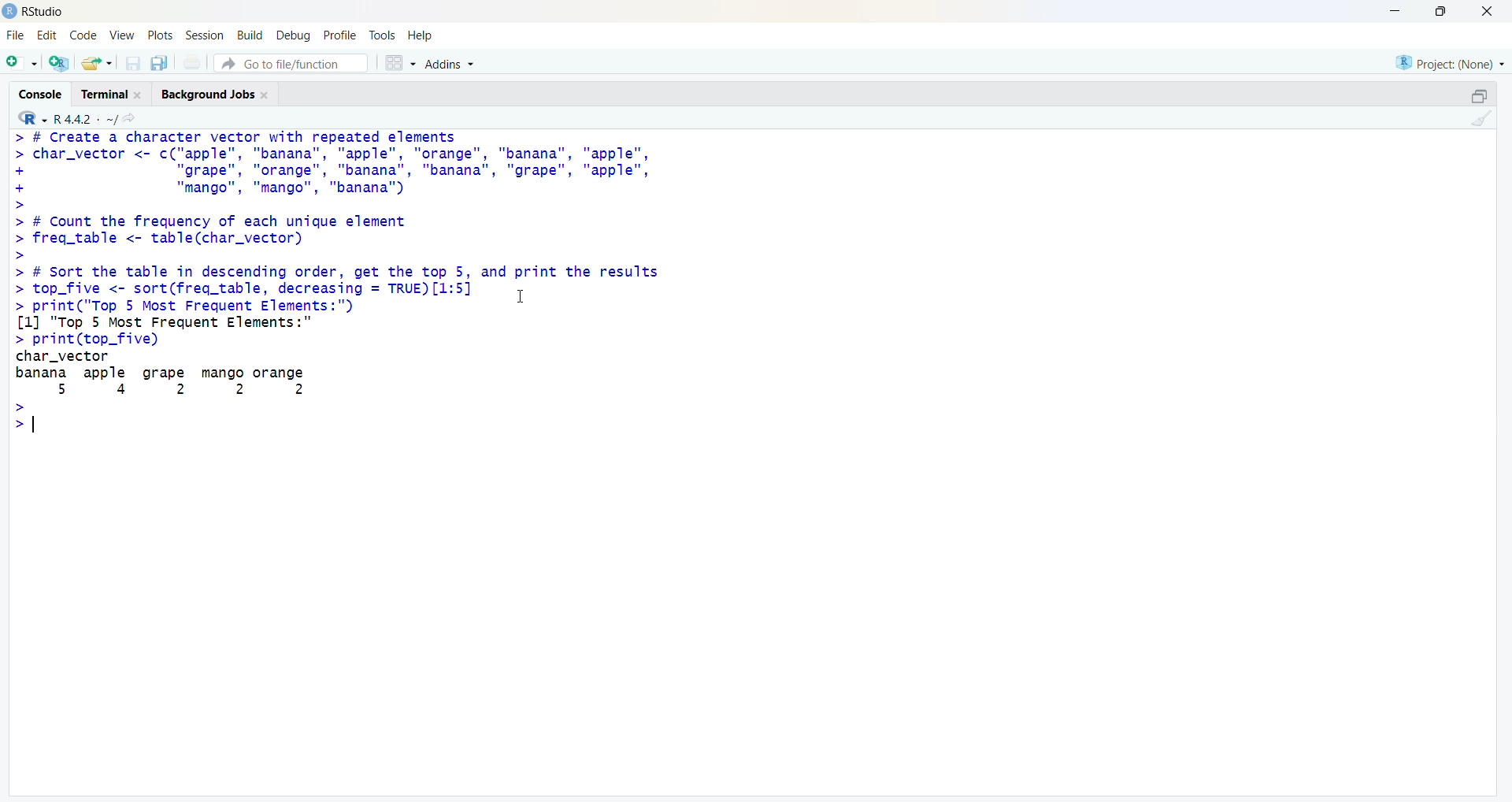 The width and height of the screenshot is (1512, 802). What do you see at coordinates (124, 35) in the screenshot?
I see `View` at bounding box center [124, 35].